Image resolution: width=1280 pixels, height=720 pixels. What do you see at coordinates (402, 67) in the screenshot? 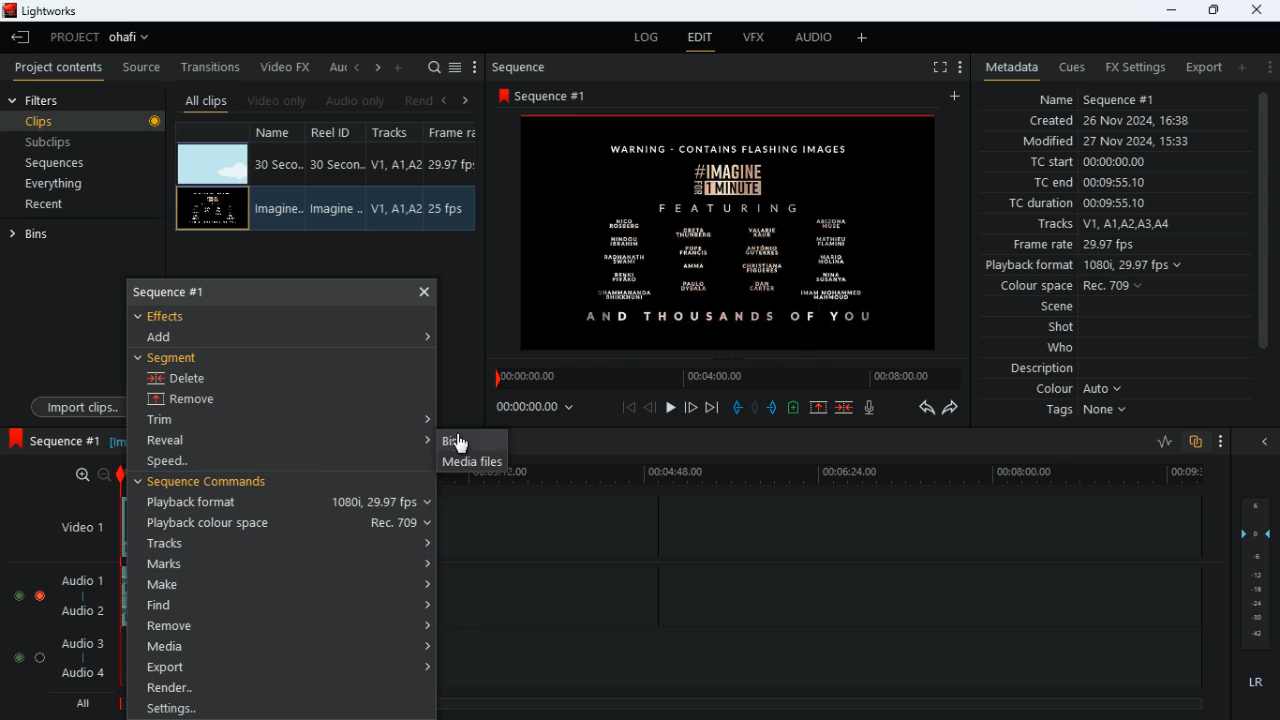
I see `add` at bounding box center [402, 67].